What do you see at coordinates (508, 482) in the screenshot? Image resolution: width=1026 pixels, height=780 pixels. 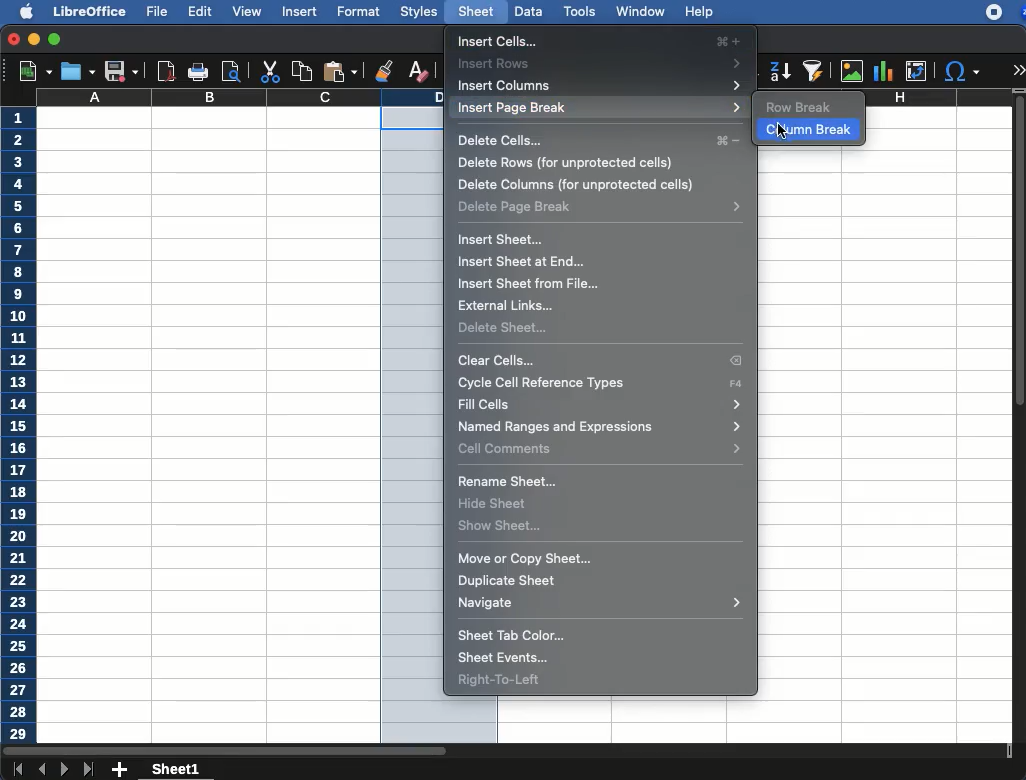 I see `rename sheet` at bounding box center [508, 482].